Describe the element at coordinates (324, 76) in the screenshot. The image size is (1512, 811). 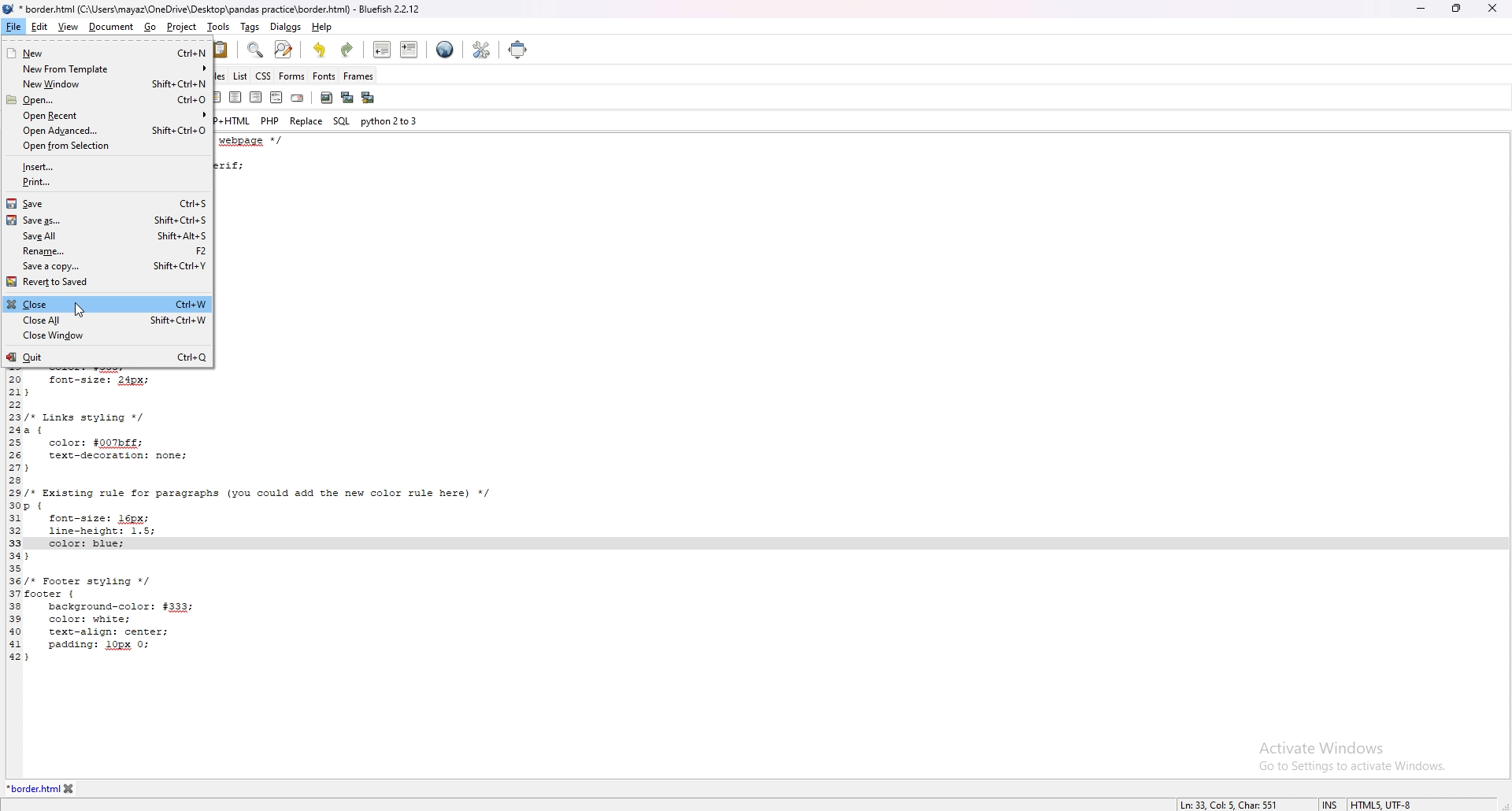
I see `fonts` at that location.